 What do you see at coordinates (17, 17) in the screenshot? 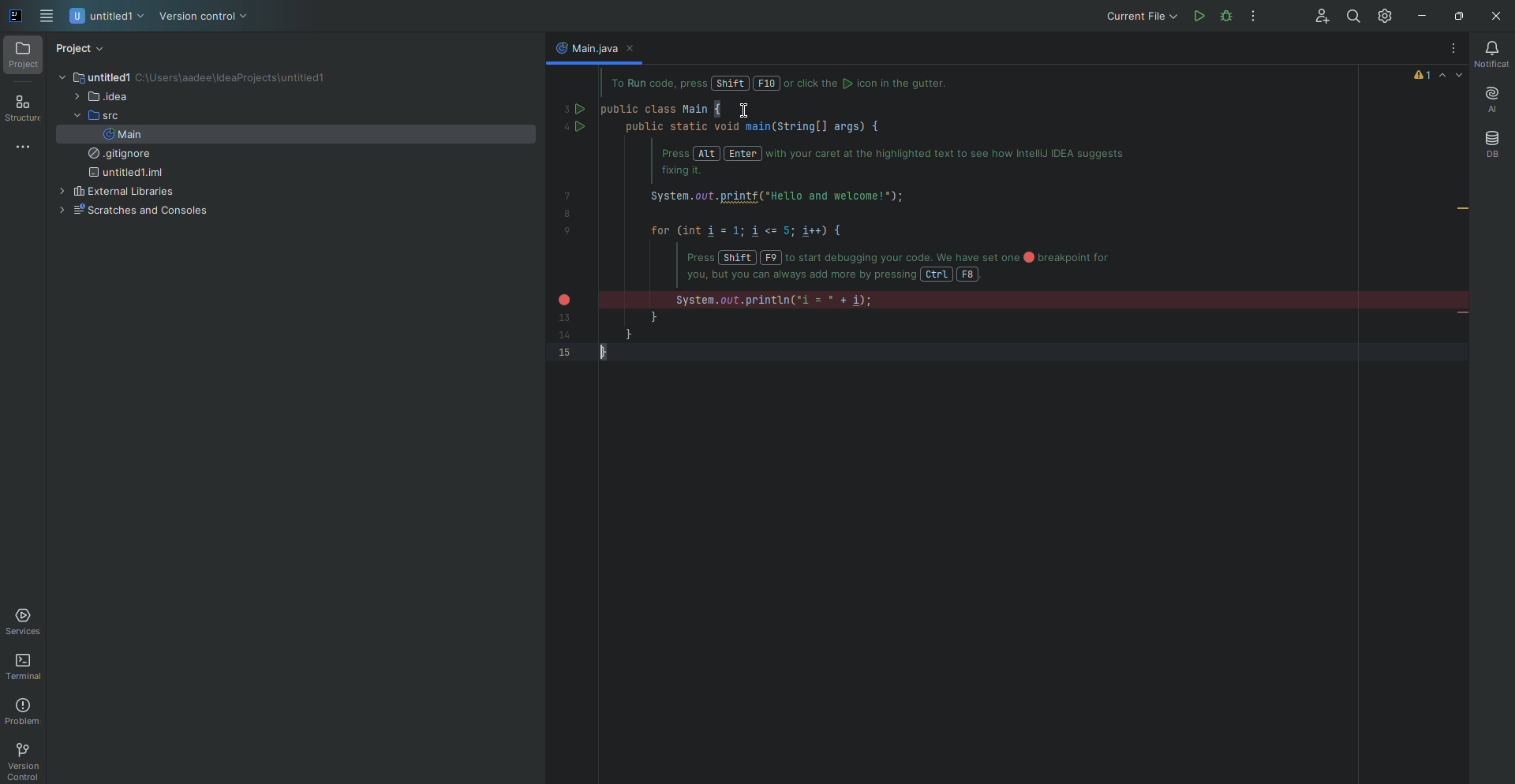
I see `IntelliJ` at bounding box center [17, 17].